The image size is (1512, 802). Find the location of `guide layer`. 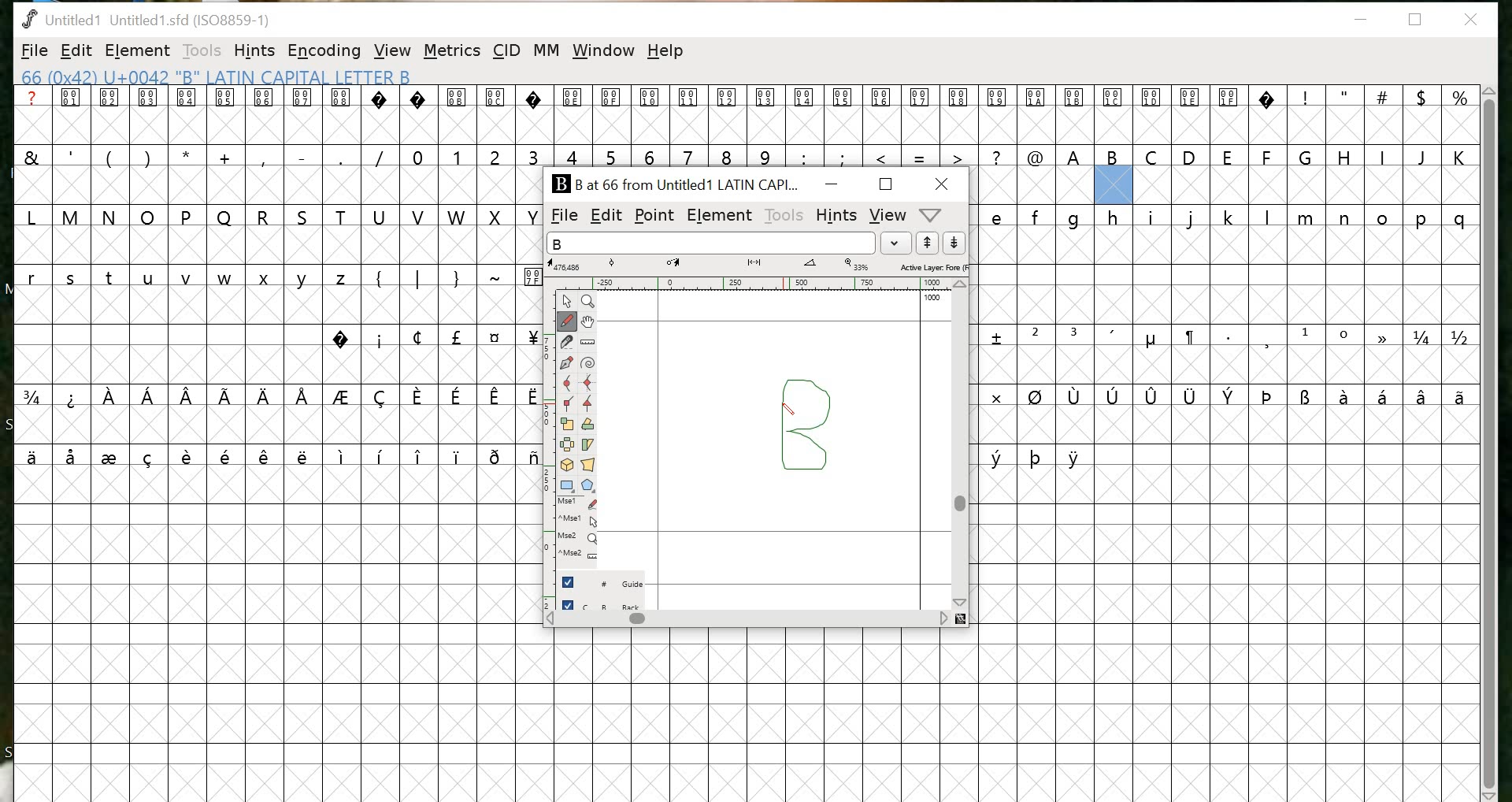

guide layer is located at coordinates (603, 579).